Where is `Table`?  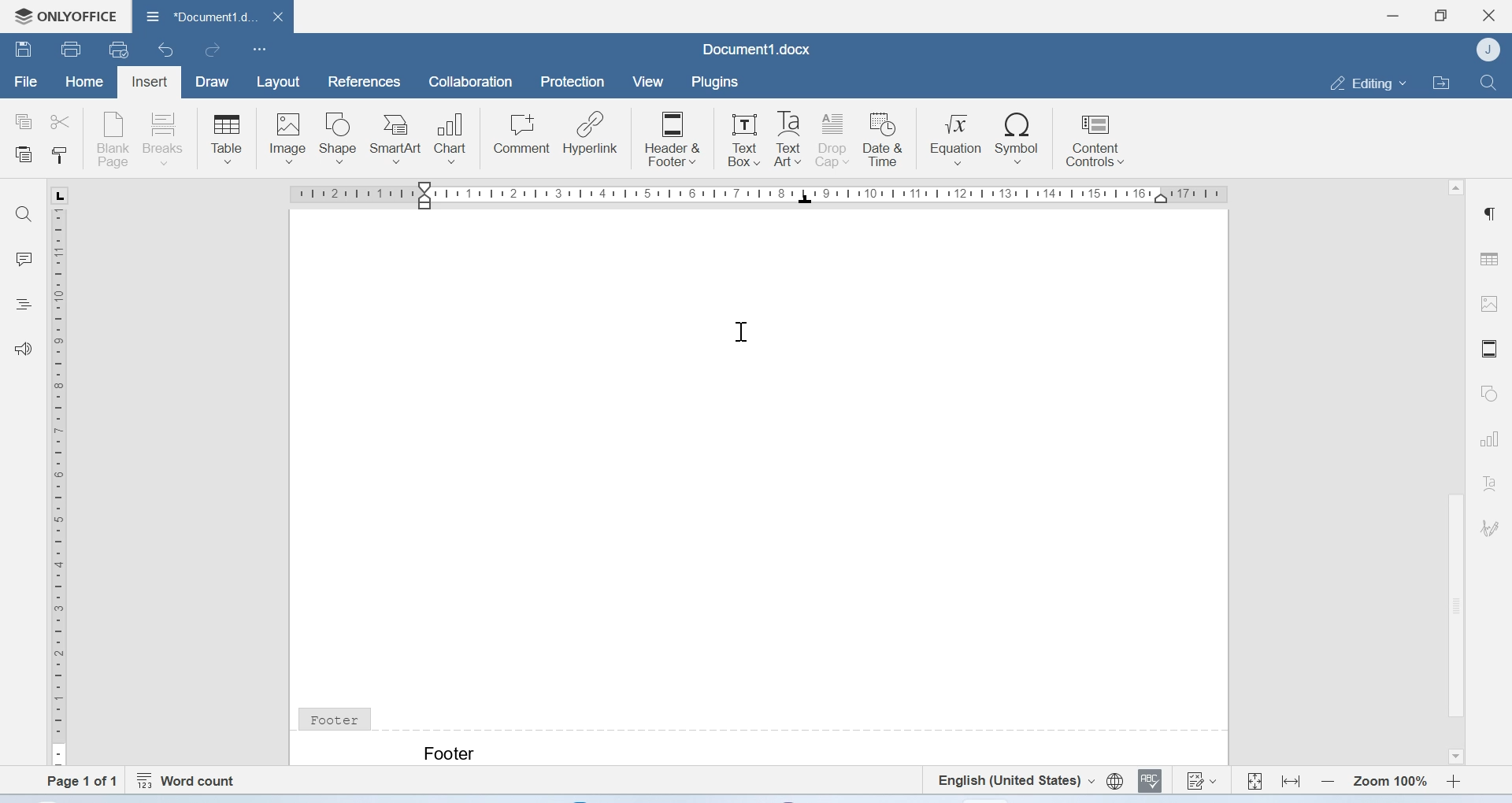
Table is located at coordinates (226, 138).